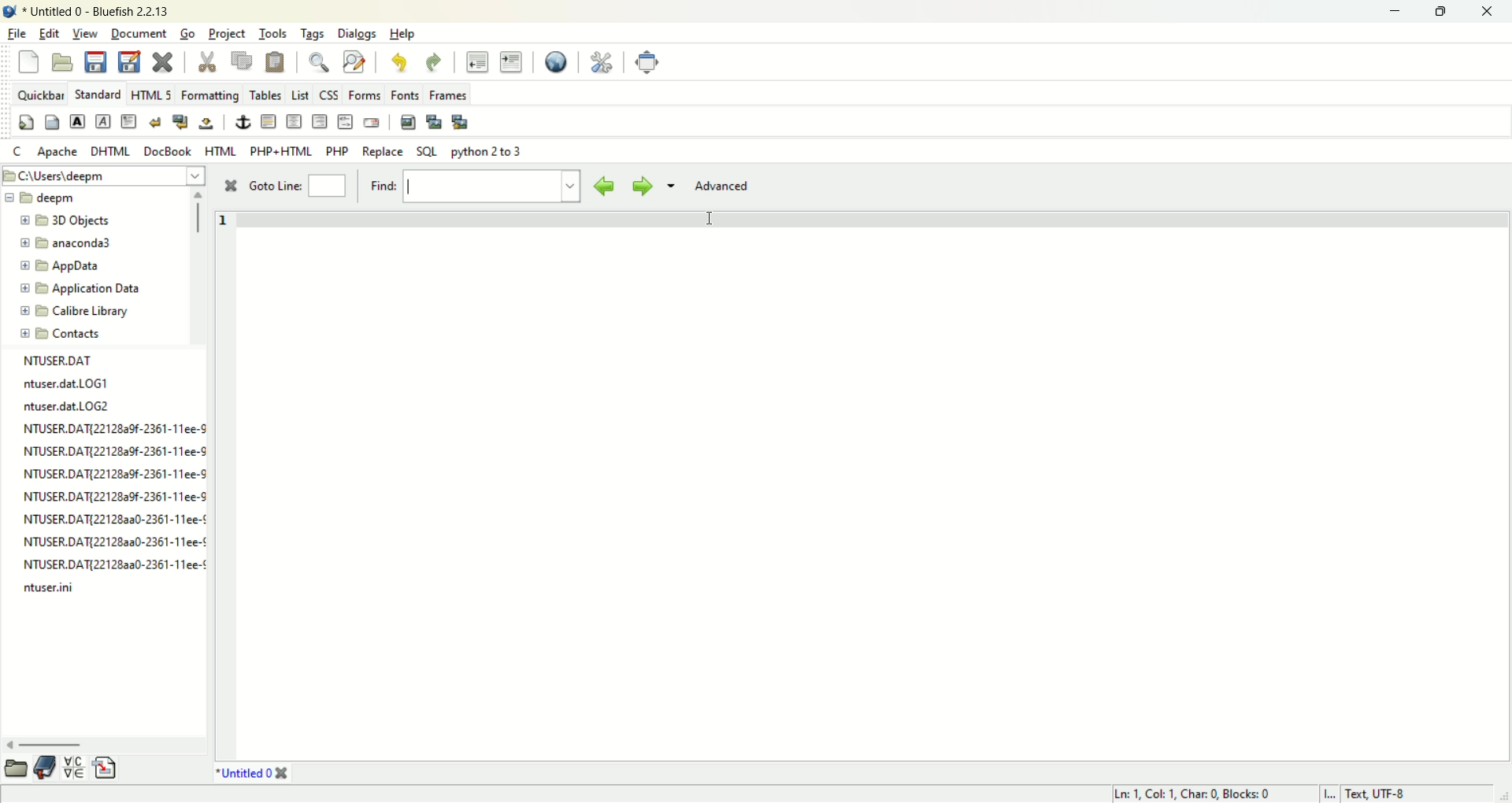 This screenshot has height=803, width=1512. Describe the element at coordinates (471, 187) in the screenshot. I see `find` at that location.